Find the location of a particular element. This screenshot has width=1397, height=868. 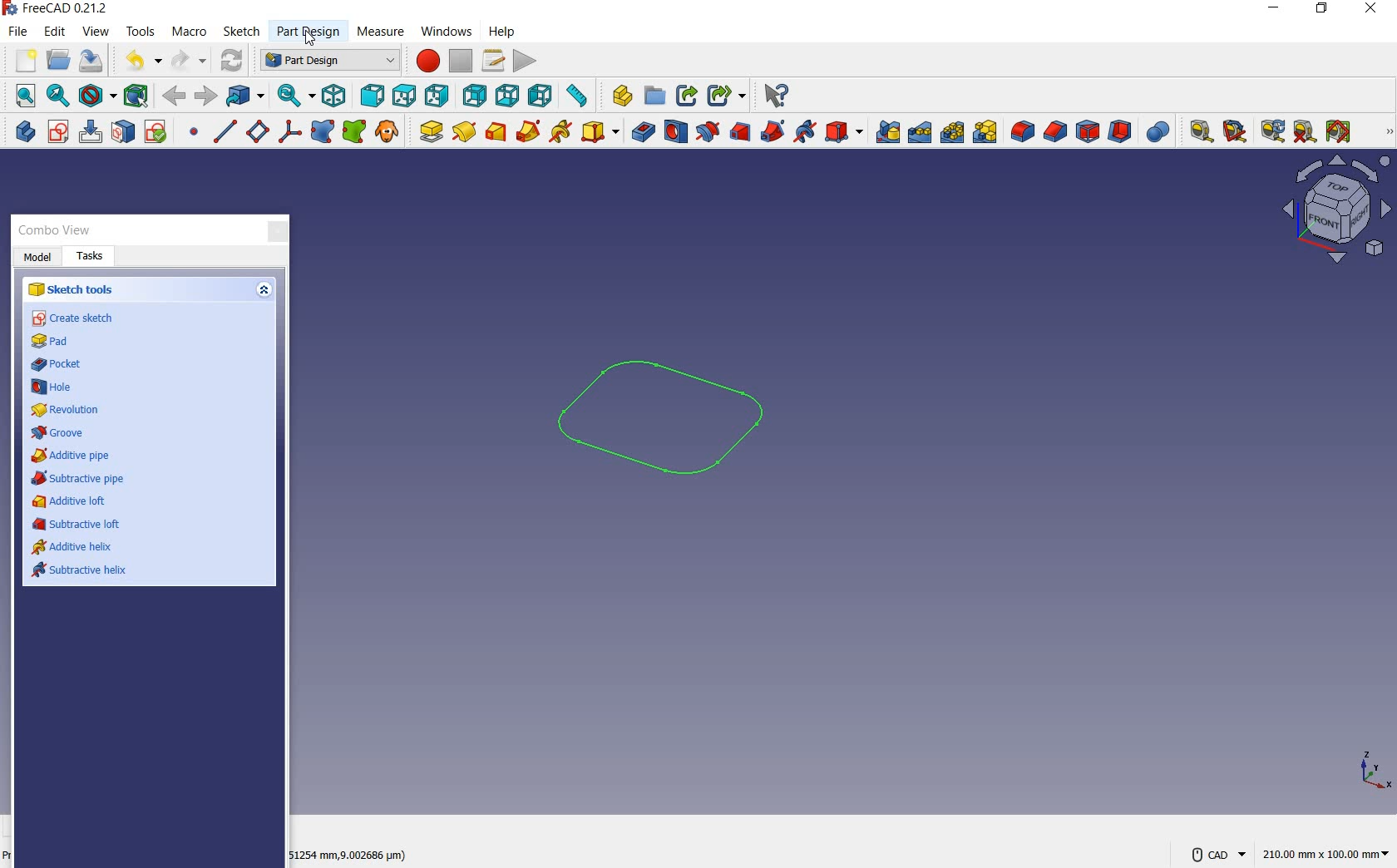

Share is located at coordinates (689, 95).